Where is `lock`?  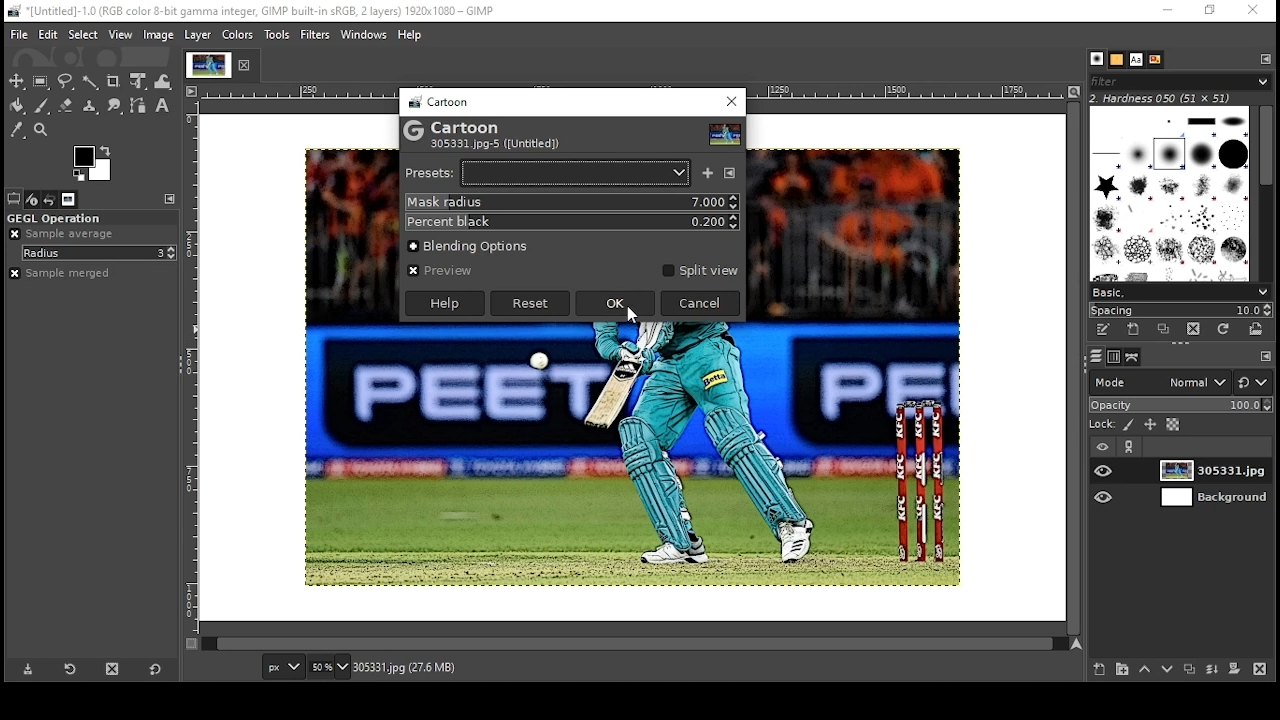
lock is located at coordinates (1103, 424).